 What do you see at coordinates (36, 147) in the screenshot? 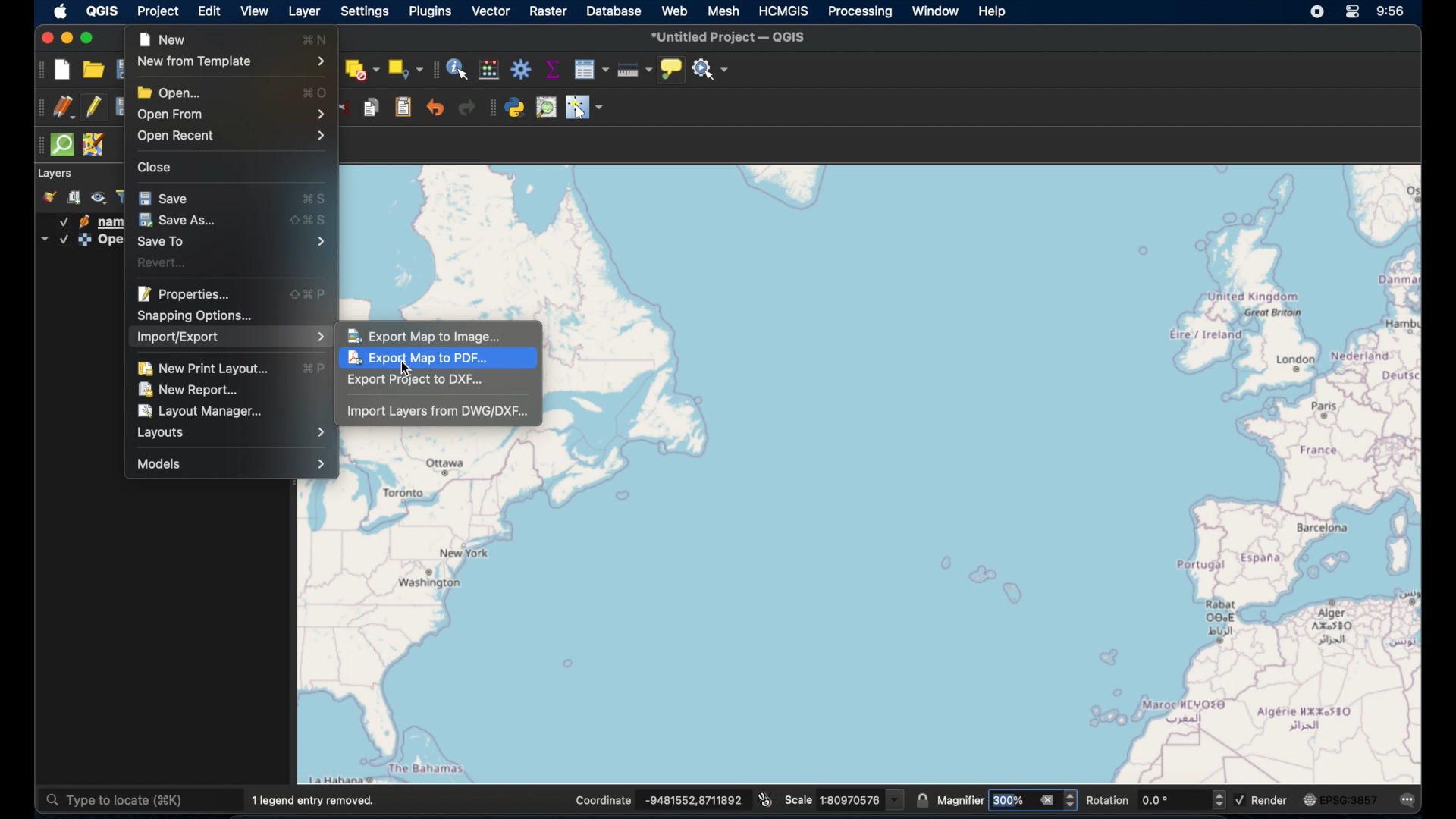
I see `drag handles` at bounding box center [36, 147].